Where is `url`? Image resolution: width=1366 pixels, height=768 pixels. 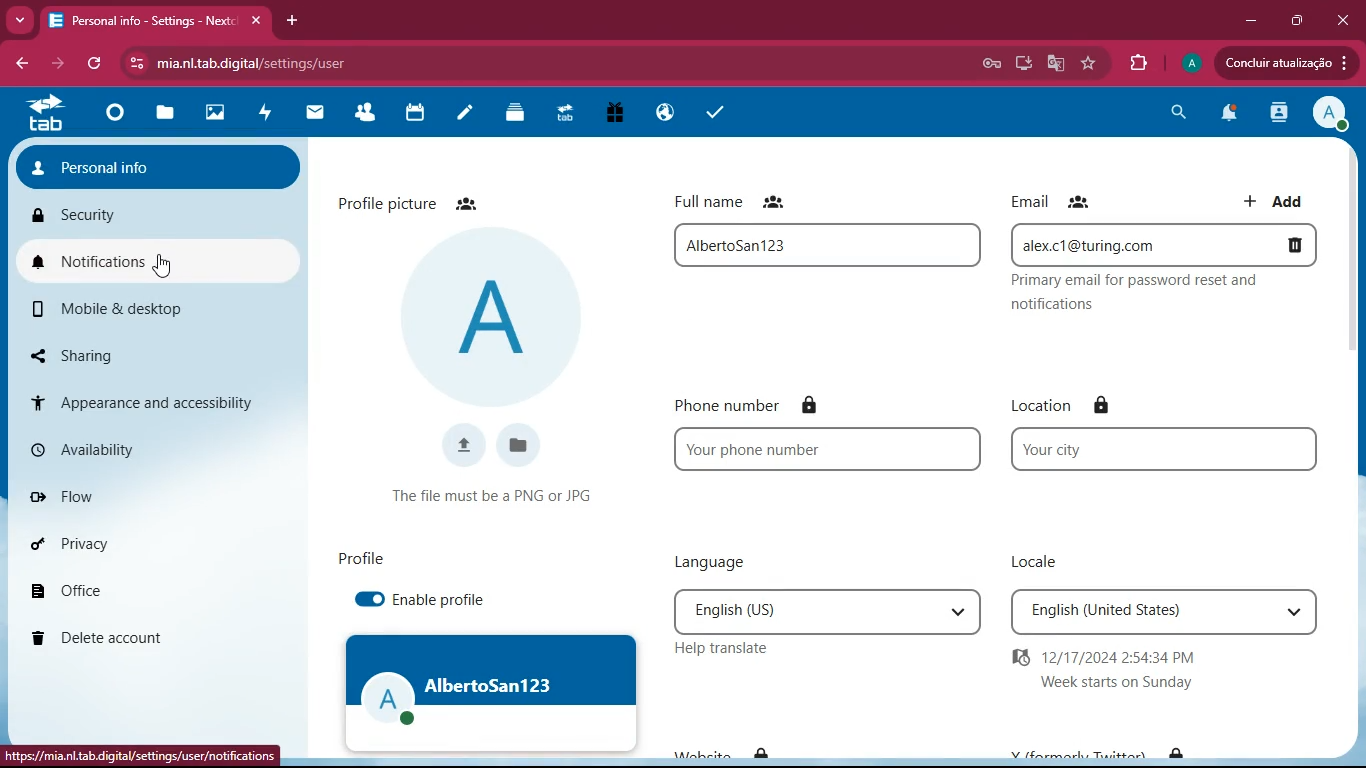 url is located at coordinates (143, 758).